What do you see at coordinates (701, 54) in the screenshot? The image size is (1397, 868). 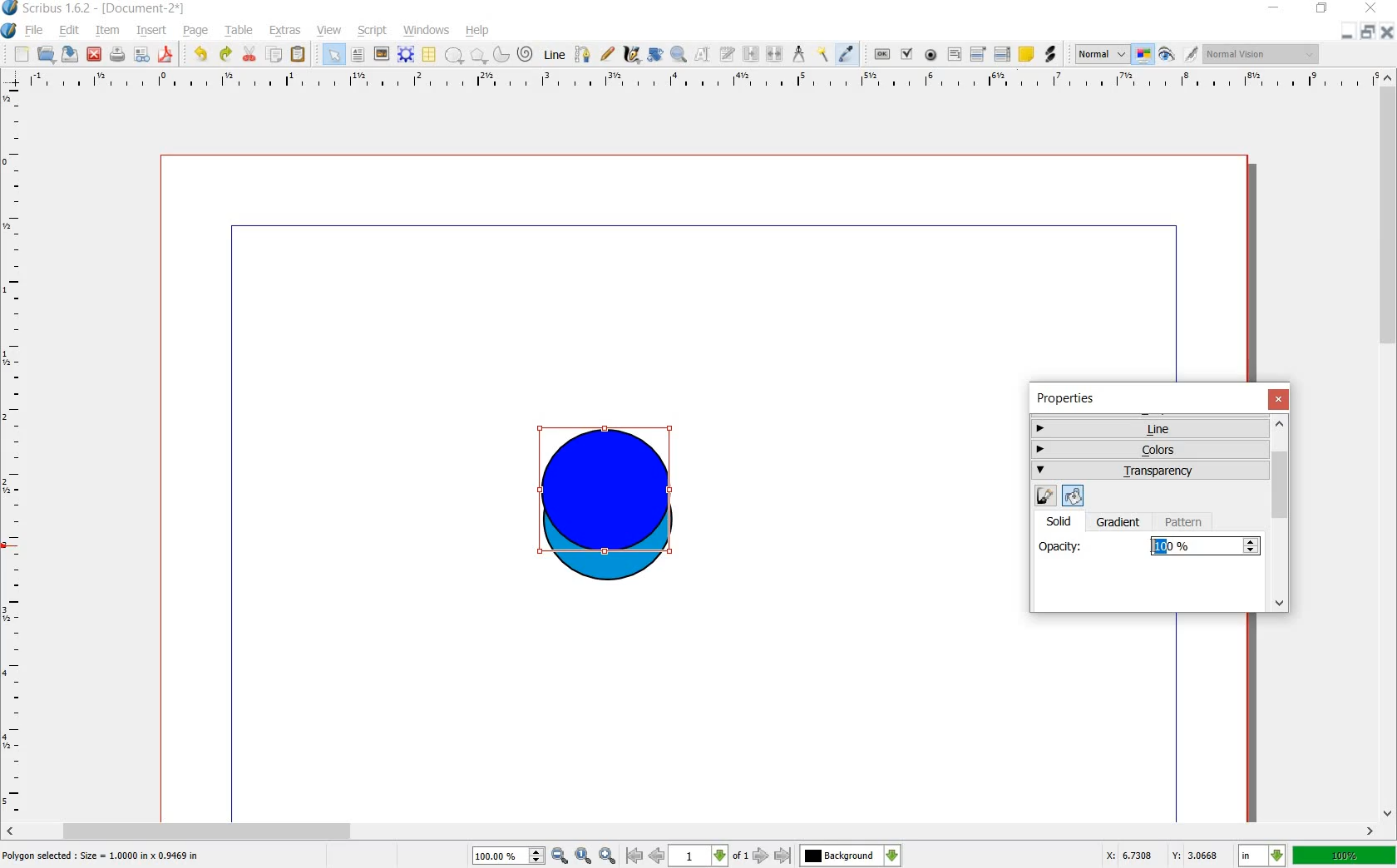 I see `edit contents of frame` at bounding box center [701, 54].